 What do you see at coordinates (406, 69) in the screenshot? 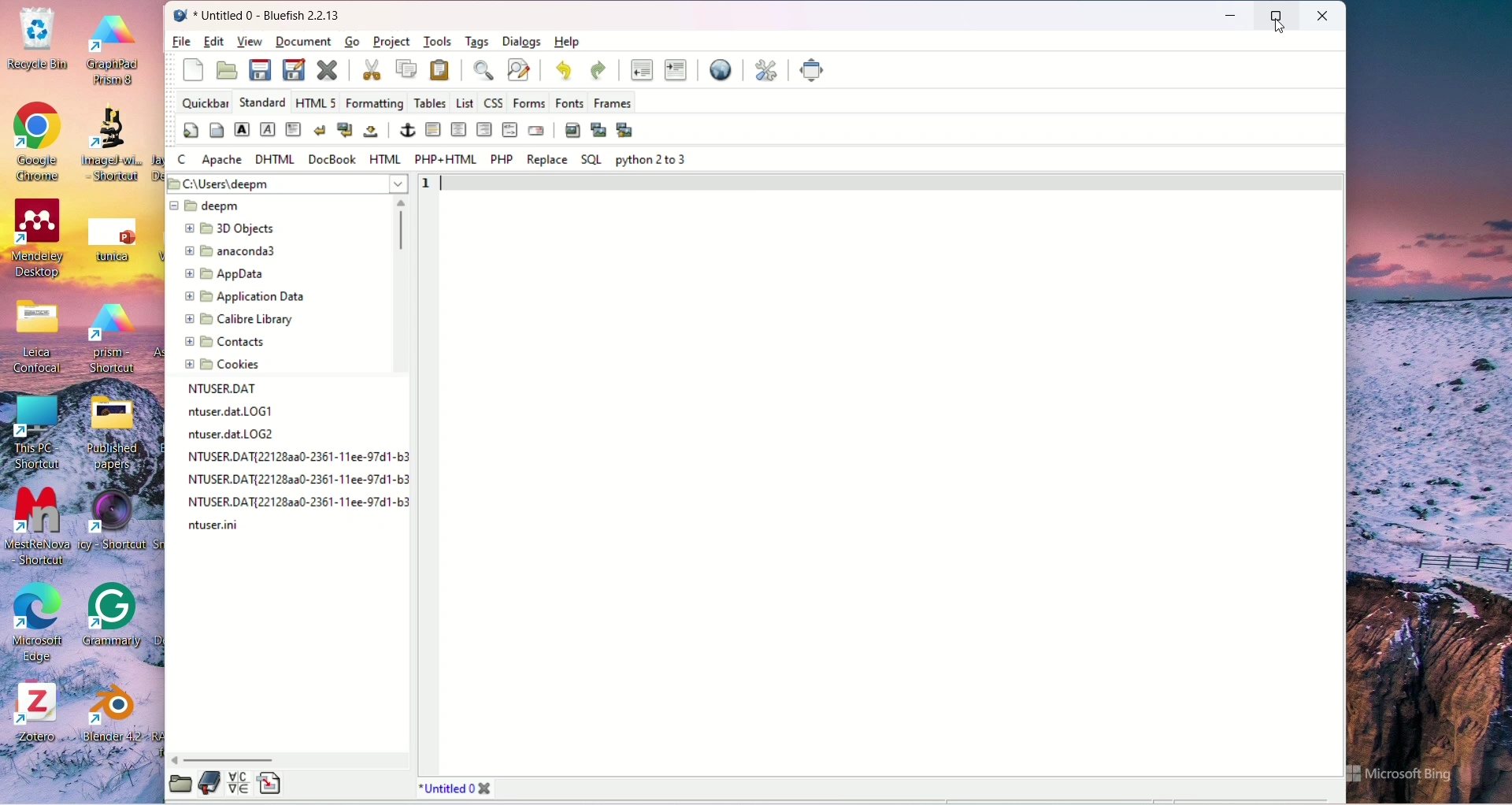
I see `copy` at bounding box center [406, 69].